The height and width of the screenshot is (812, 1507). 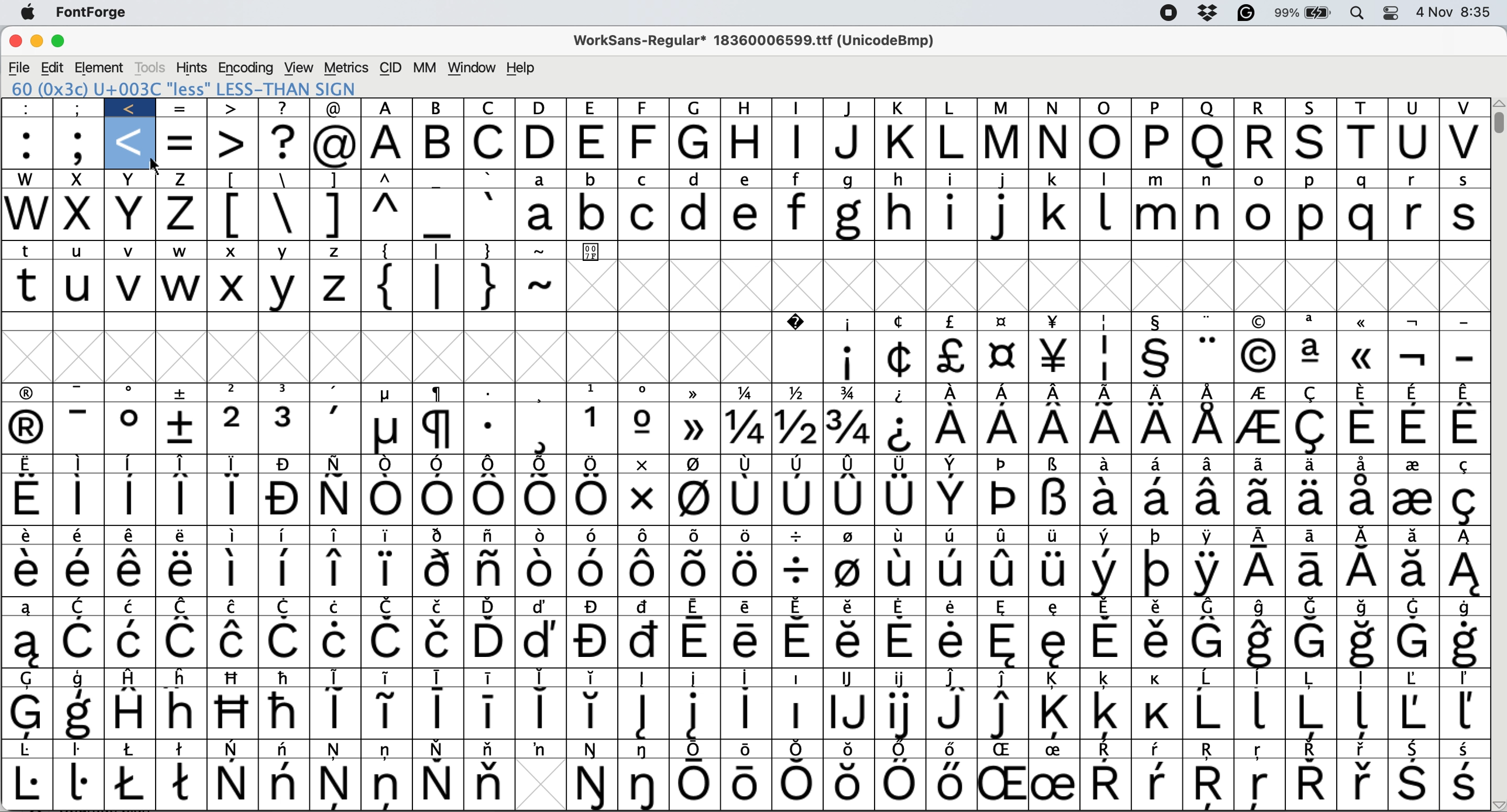 What do you see at coordinates (594, 391) in the screenshot?
I see `Symbol` at bounding box center [594, 391].